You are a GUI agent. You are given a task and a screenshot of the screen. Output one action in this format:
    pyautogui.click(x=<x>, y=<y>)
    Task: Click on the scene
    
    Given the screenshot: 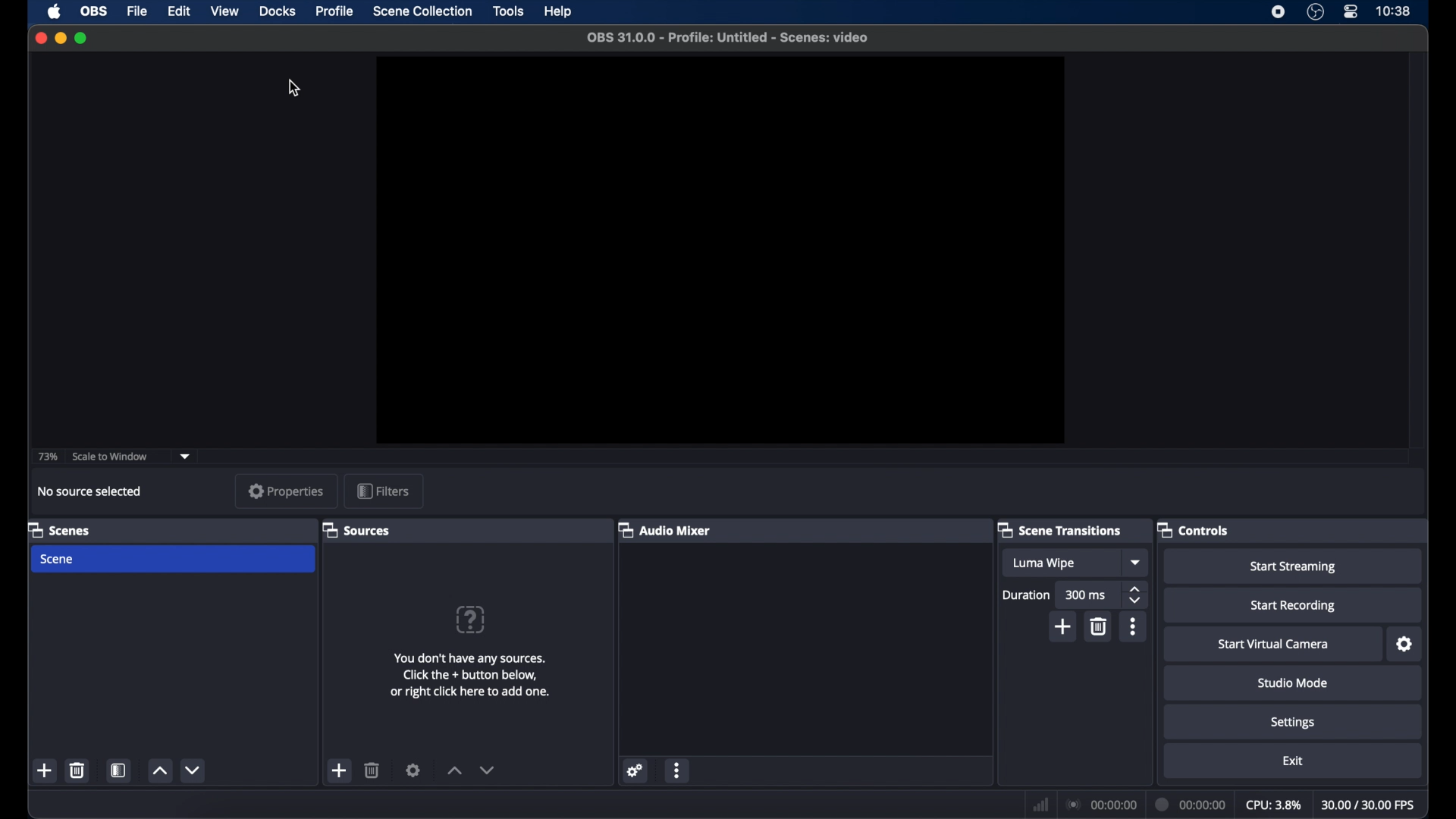 What is the action you would take?
    pyautogui.click(x=59, y=560)
    